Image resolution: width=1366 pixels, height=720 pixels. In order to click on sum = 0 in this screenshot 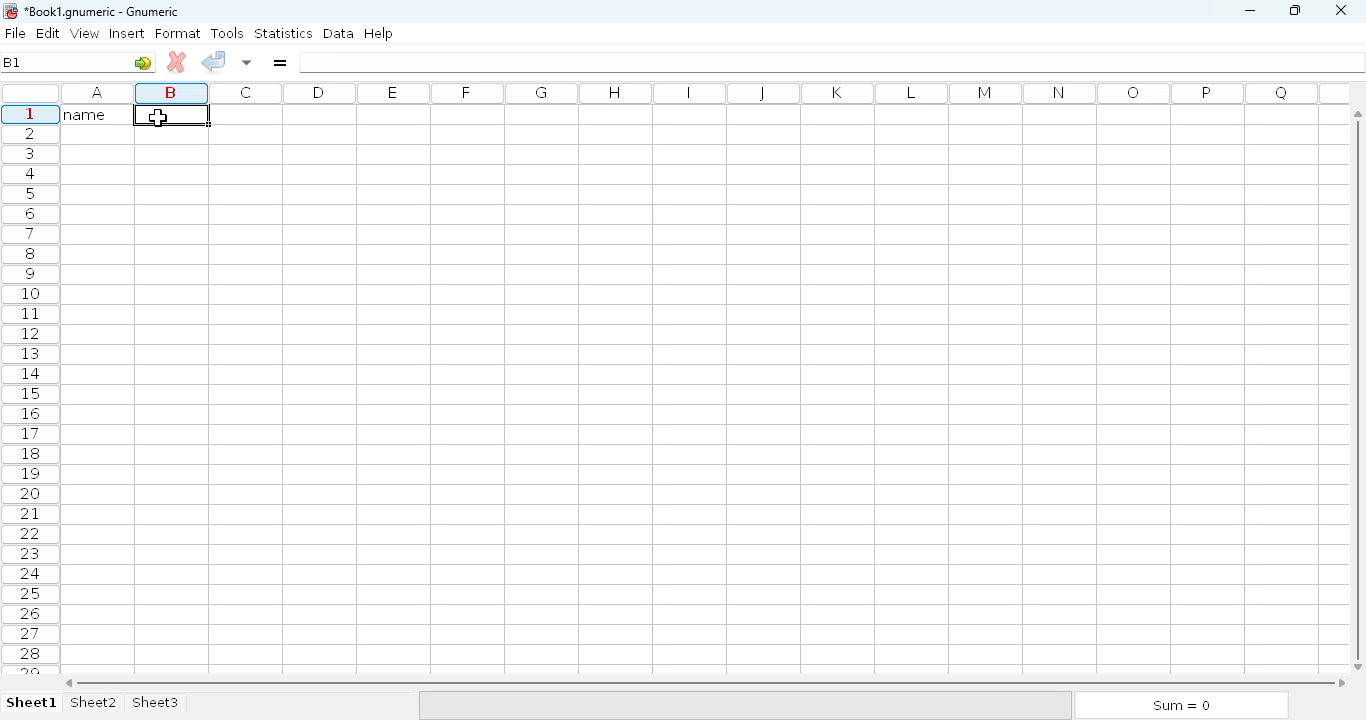, I will do `click(1179, 706)`.